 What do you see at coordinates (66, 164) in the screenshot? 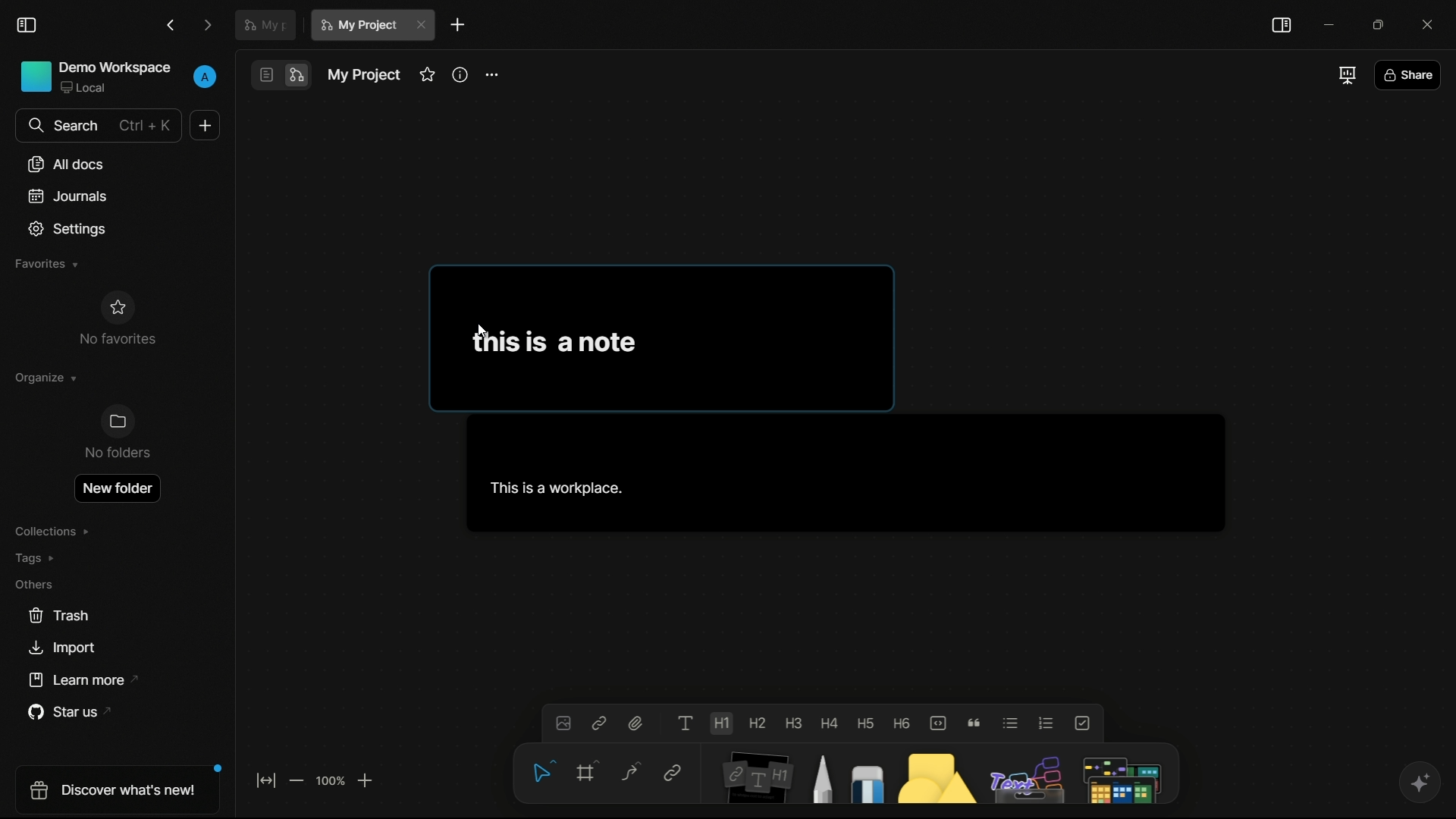
I see `all documents` at bounding box center [66, 164].